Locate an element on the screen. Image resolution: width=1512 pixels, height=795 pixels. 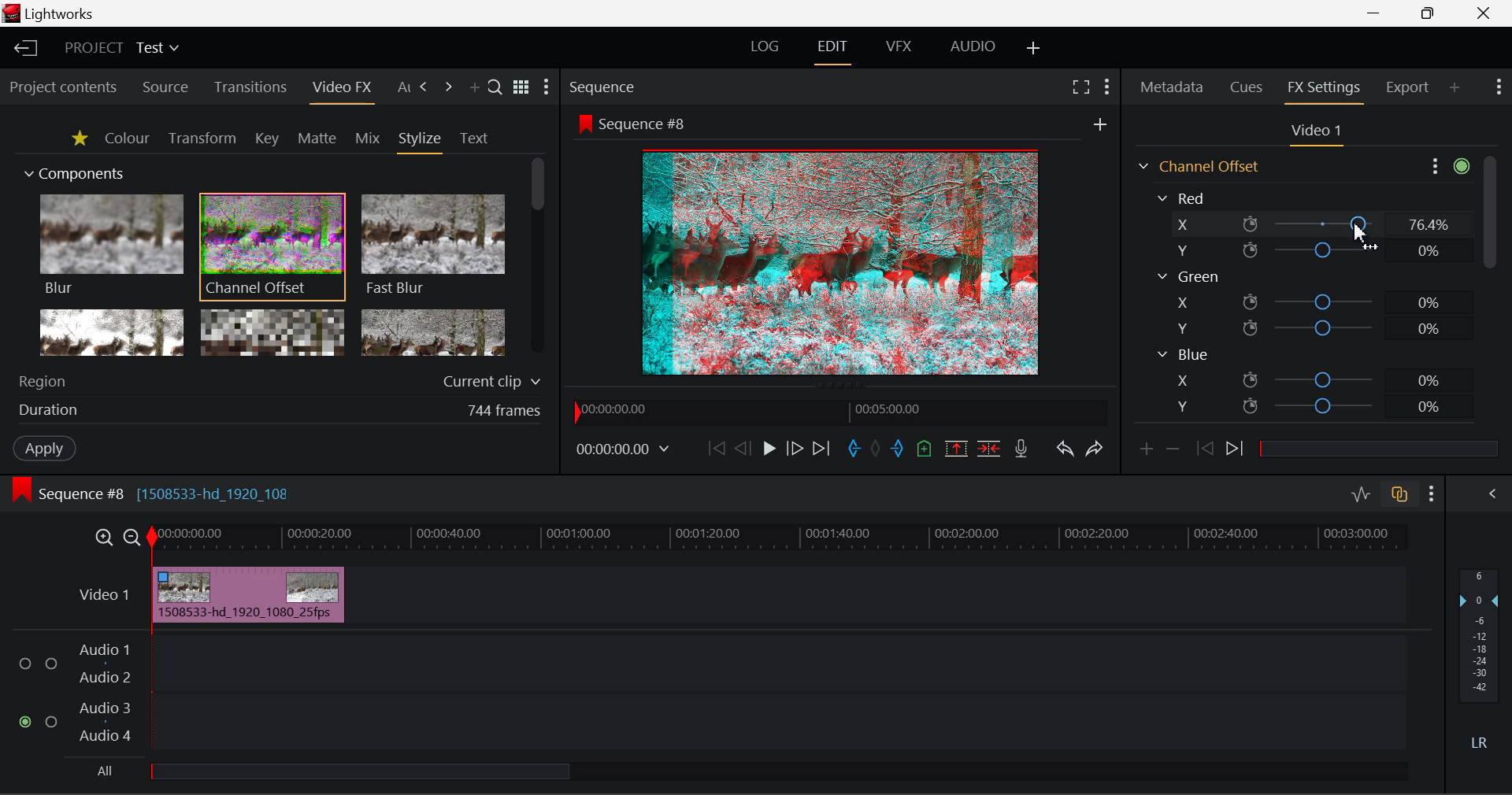
Green Y is located at coordinates (1308, 327).